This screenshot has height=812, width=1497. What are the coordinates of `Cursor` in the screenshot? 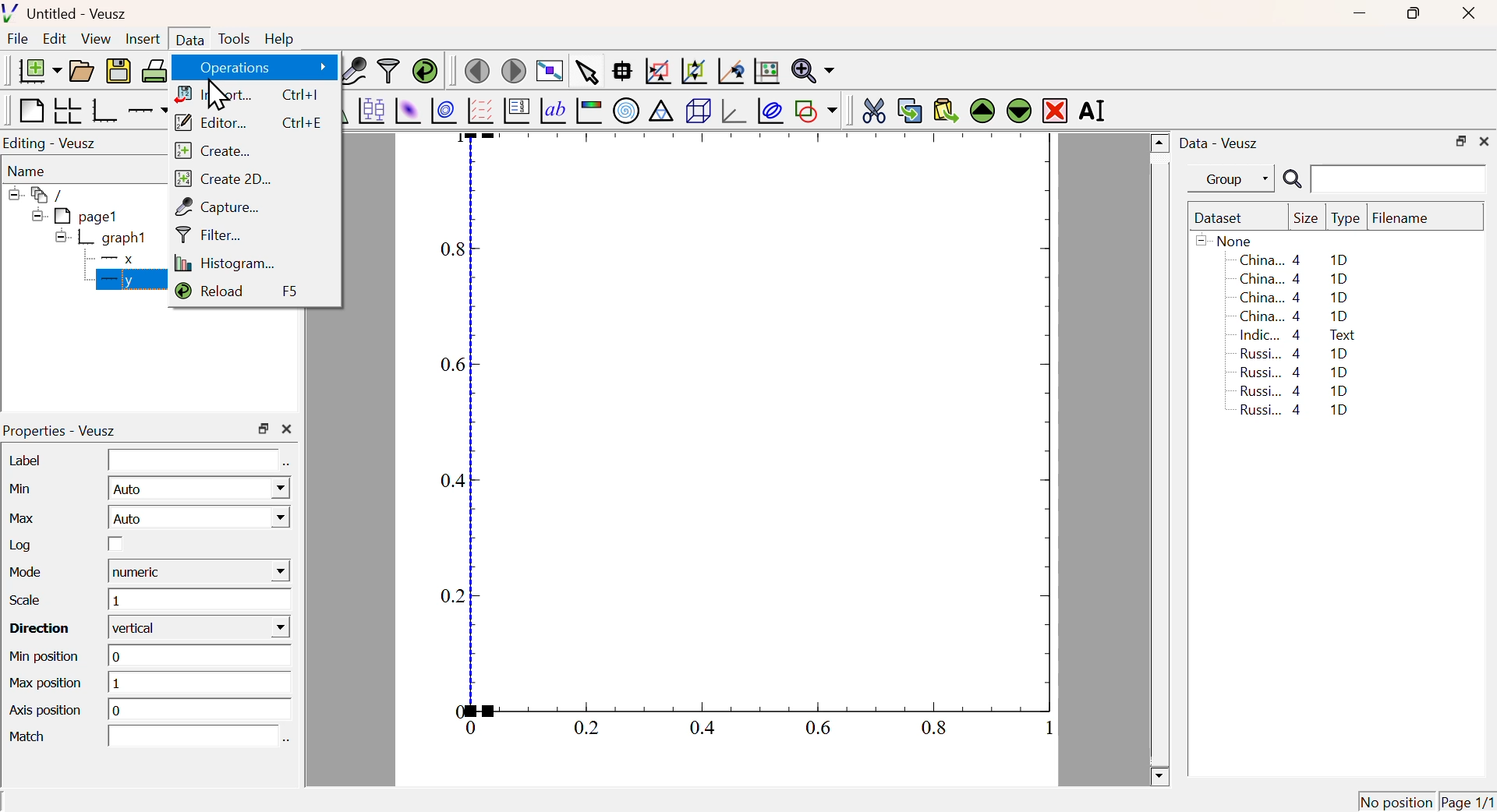 It's located at (218, 96).